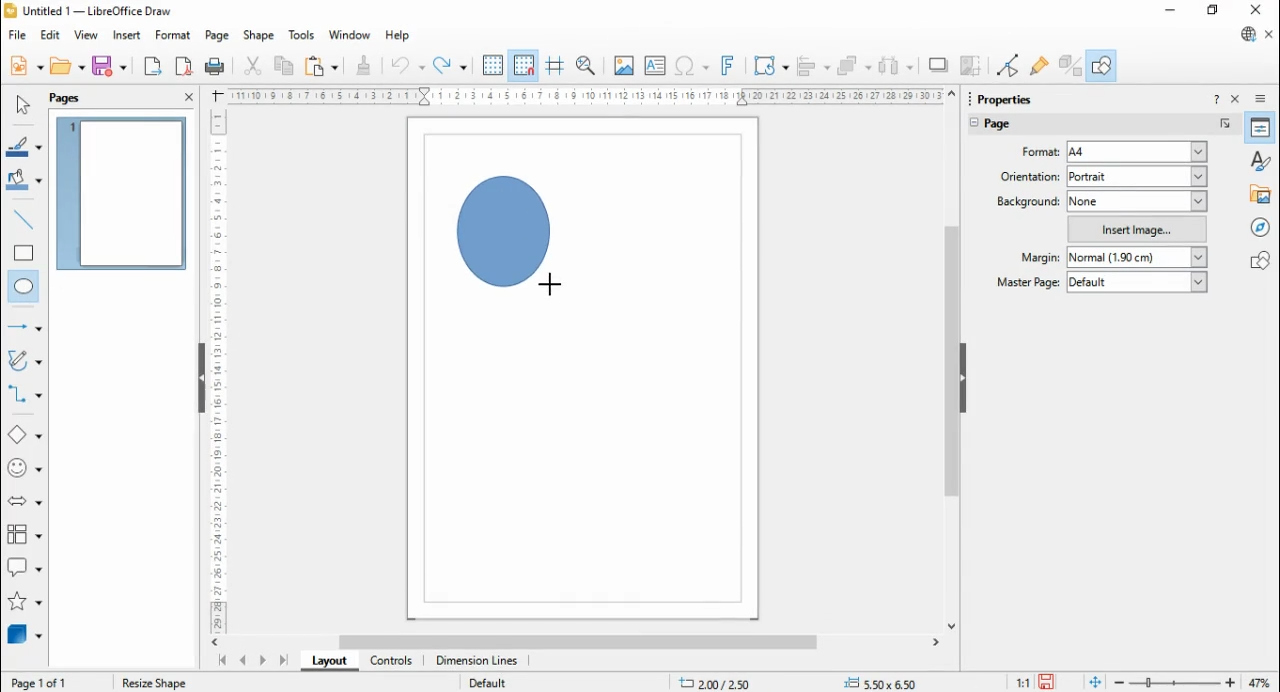 Image resolution: width=1280 pixels, height=692 pixels. What do you see at coordinates (189, 96) in the screenshot?
I see `close panel` at bounding box center [189, 96].